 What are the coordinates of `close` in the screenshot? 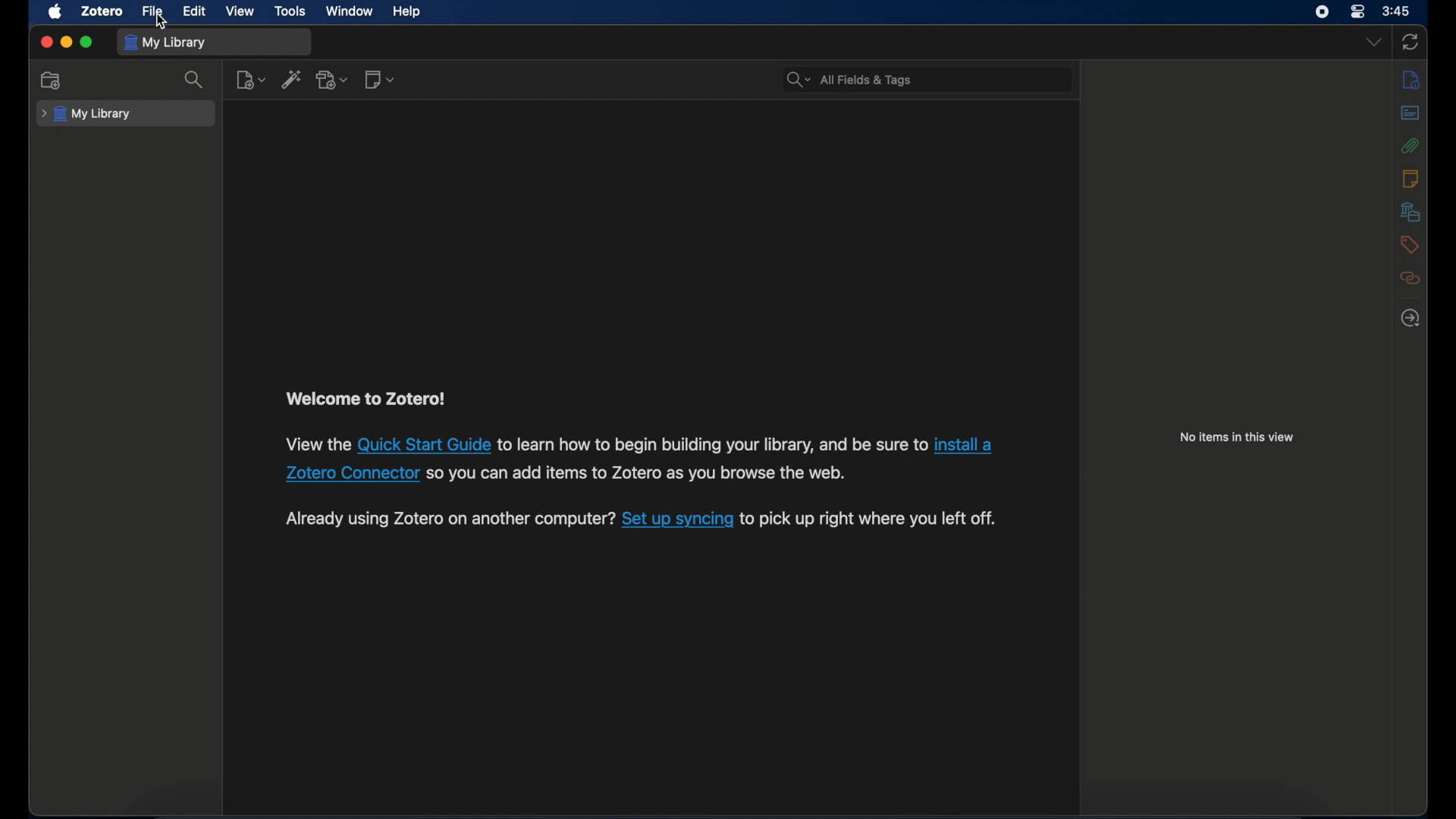 It's located at (45, 42).